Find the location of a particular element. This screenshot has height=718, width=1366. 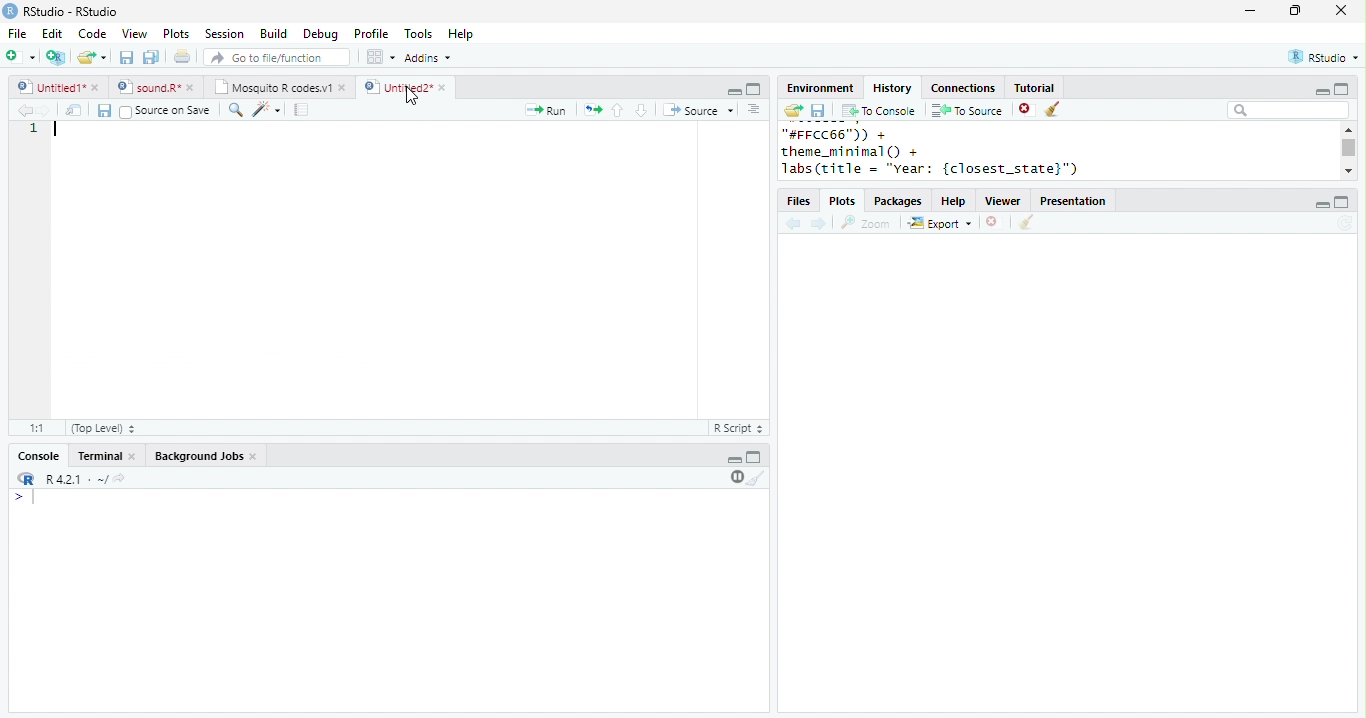

To console is located at coordinates (879, 111).